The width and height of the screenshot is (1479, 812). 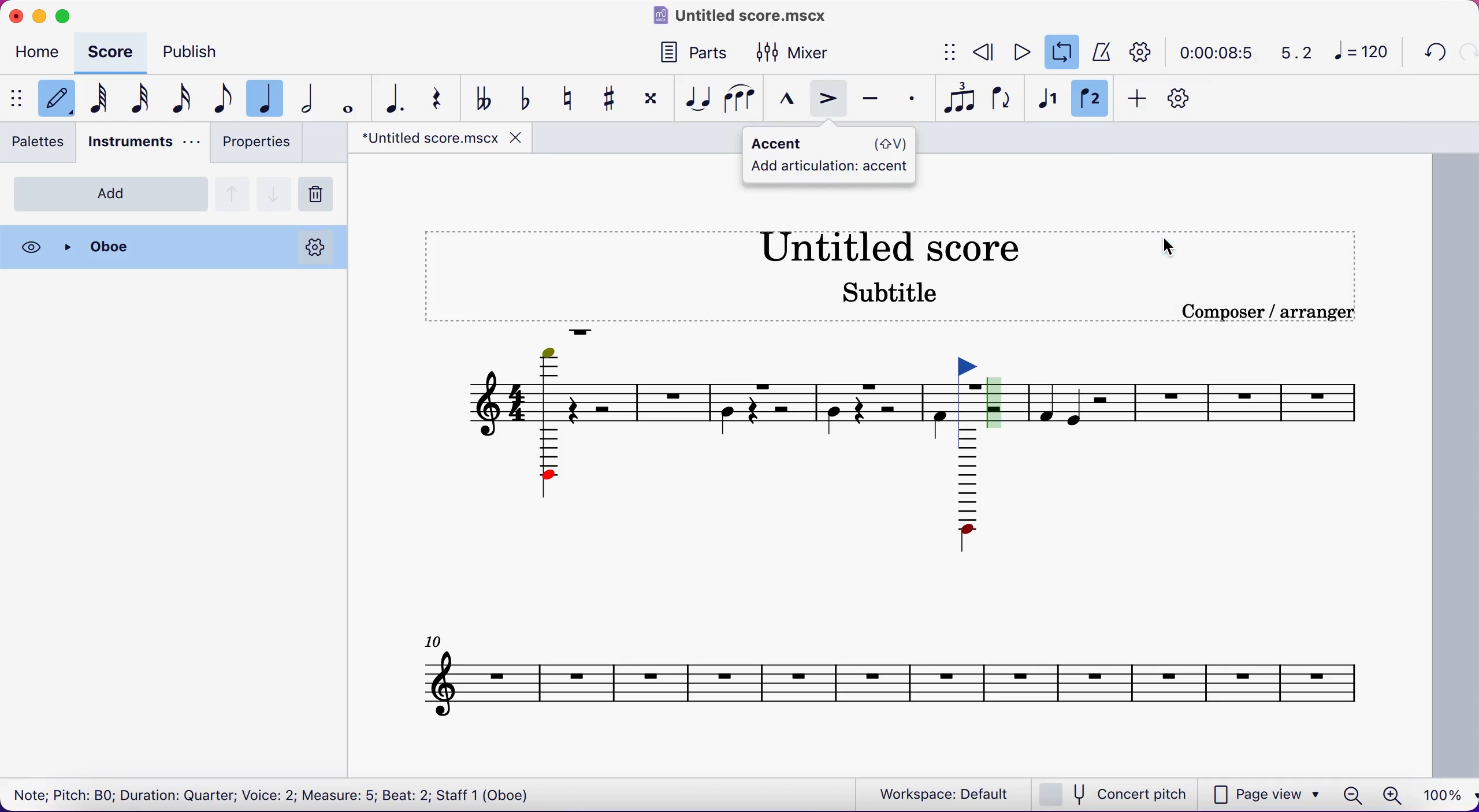 What do you see at coordinates (615, 99) in the screenshot?
I see `toggle sharp` at bounding box center [615, 99].